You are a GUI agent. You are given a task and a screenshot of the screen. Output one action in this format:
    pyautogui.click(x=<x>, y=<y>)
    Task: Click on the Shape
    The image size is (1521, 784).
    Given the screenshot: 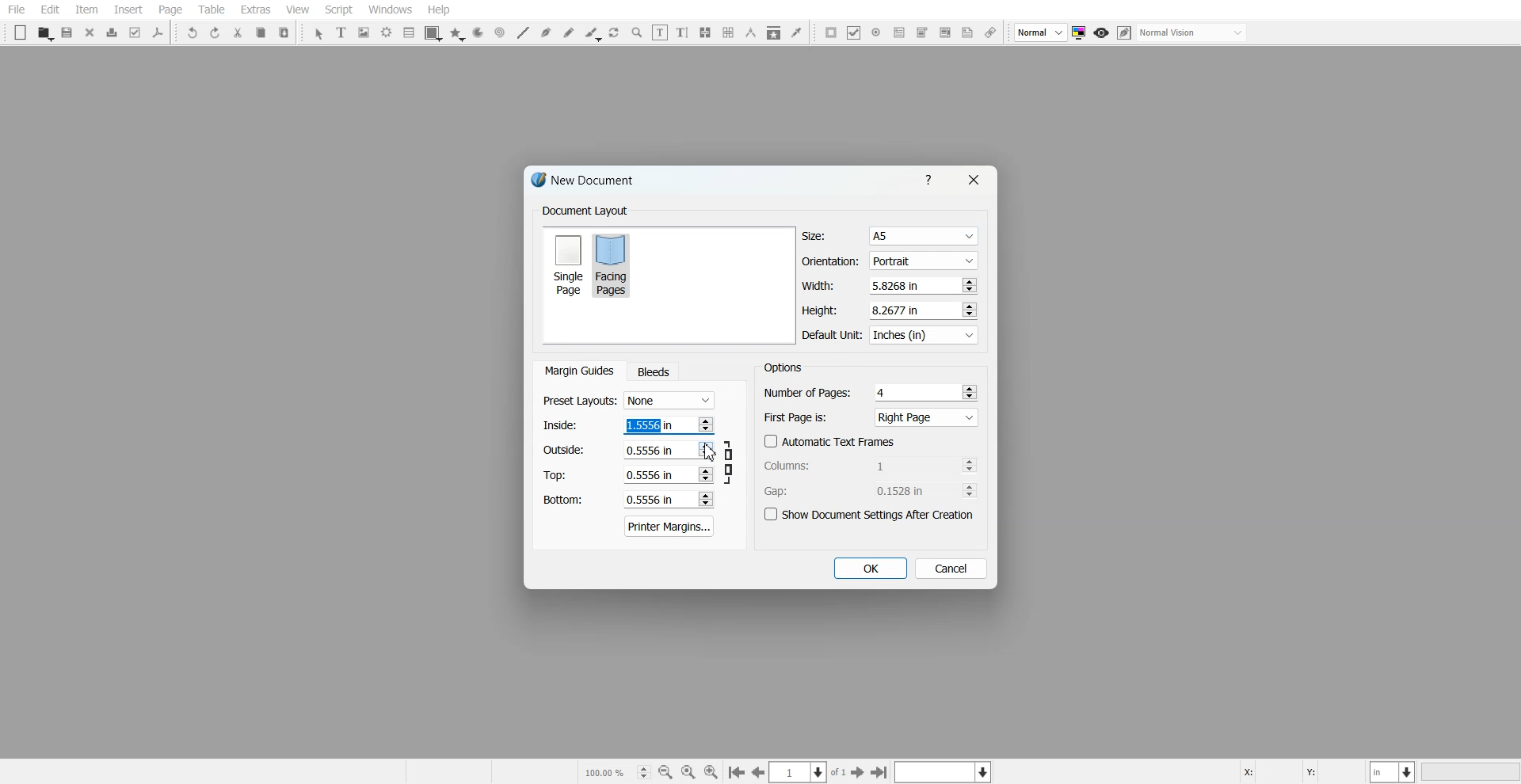 What is the action you would take?
    pyautogui.click(x=433, y=33)
    